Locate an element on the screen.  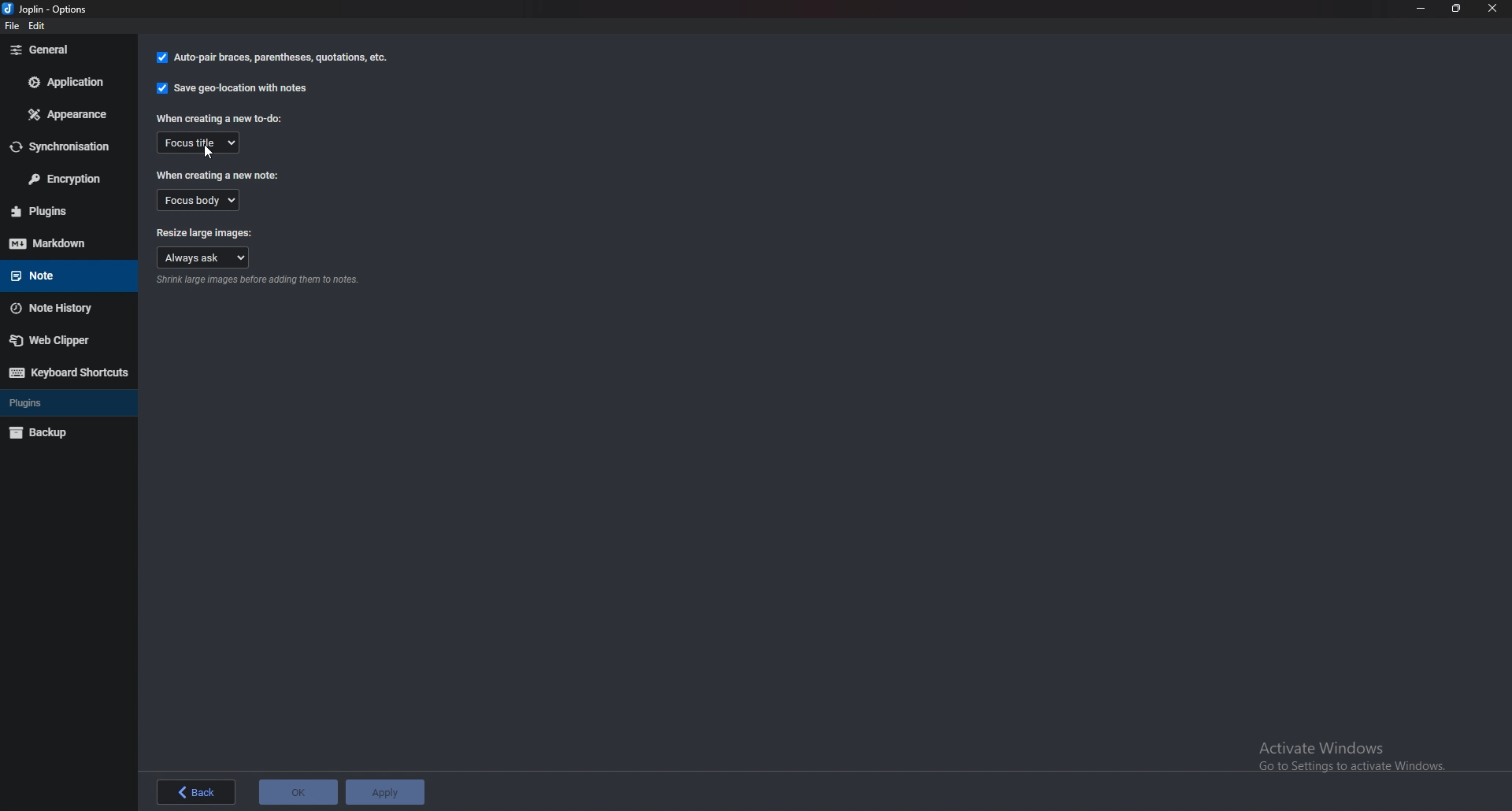
autopair braces, parenthesis, Quotations,etc. is located at coordinates (270, 60).